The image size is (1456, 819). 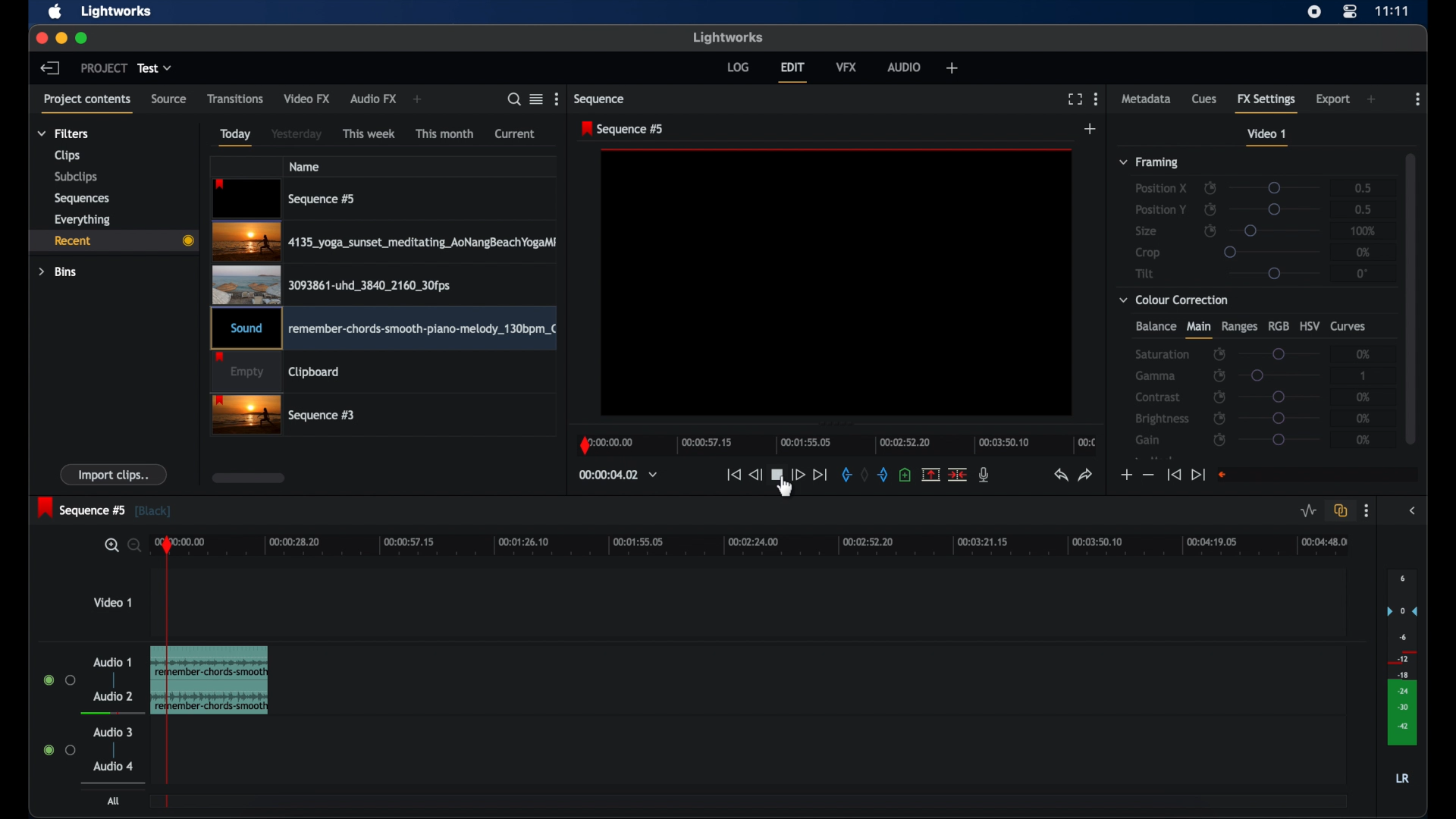 I want to click on enable/disable keyframes, so click(x=1221, y=441).